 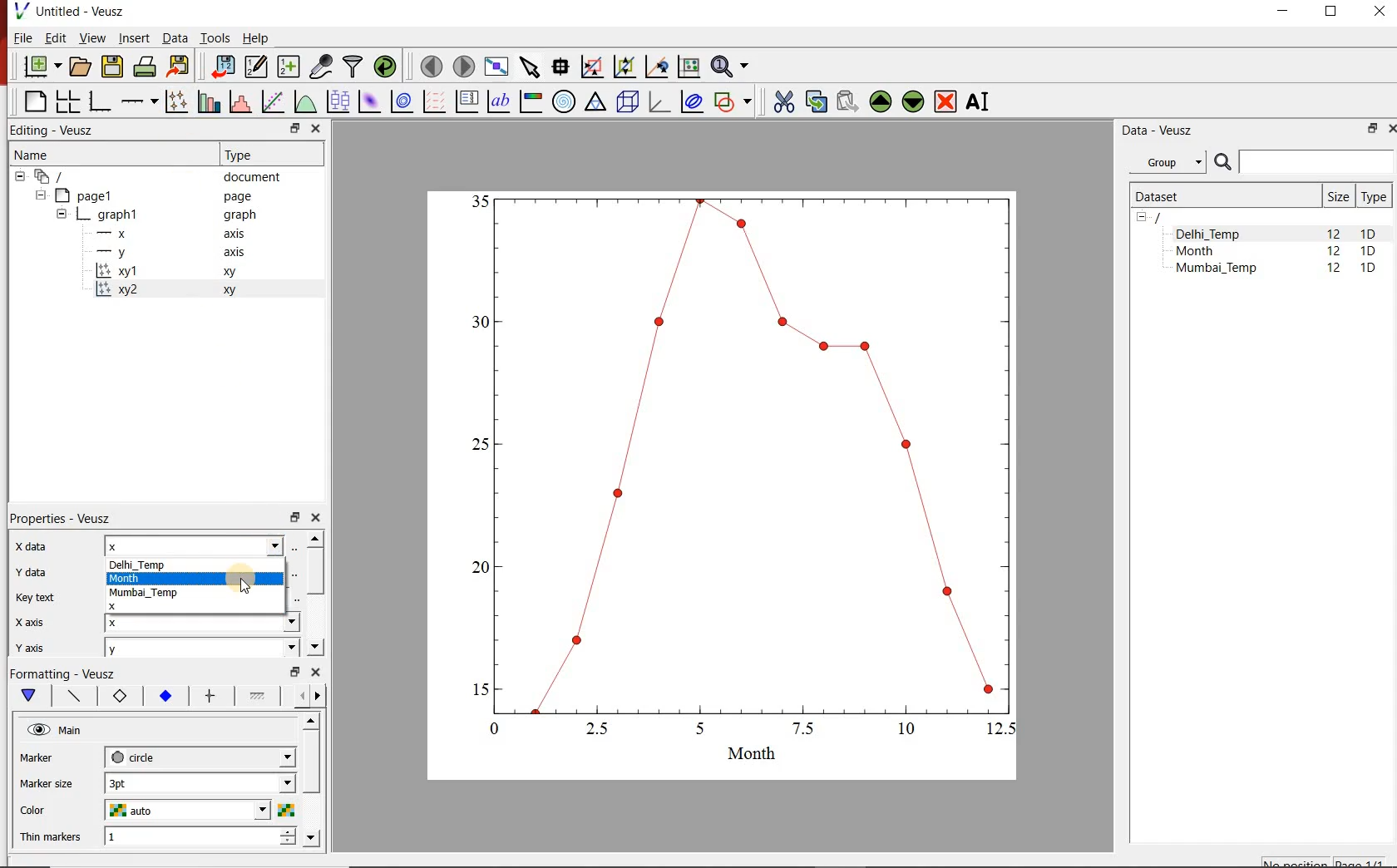 I want to click on Mumbai_Temp, so click(x=1216, y=269).